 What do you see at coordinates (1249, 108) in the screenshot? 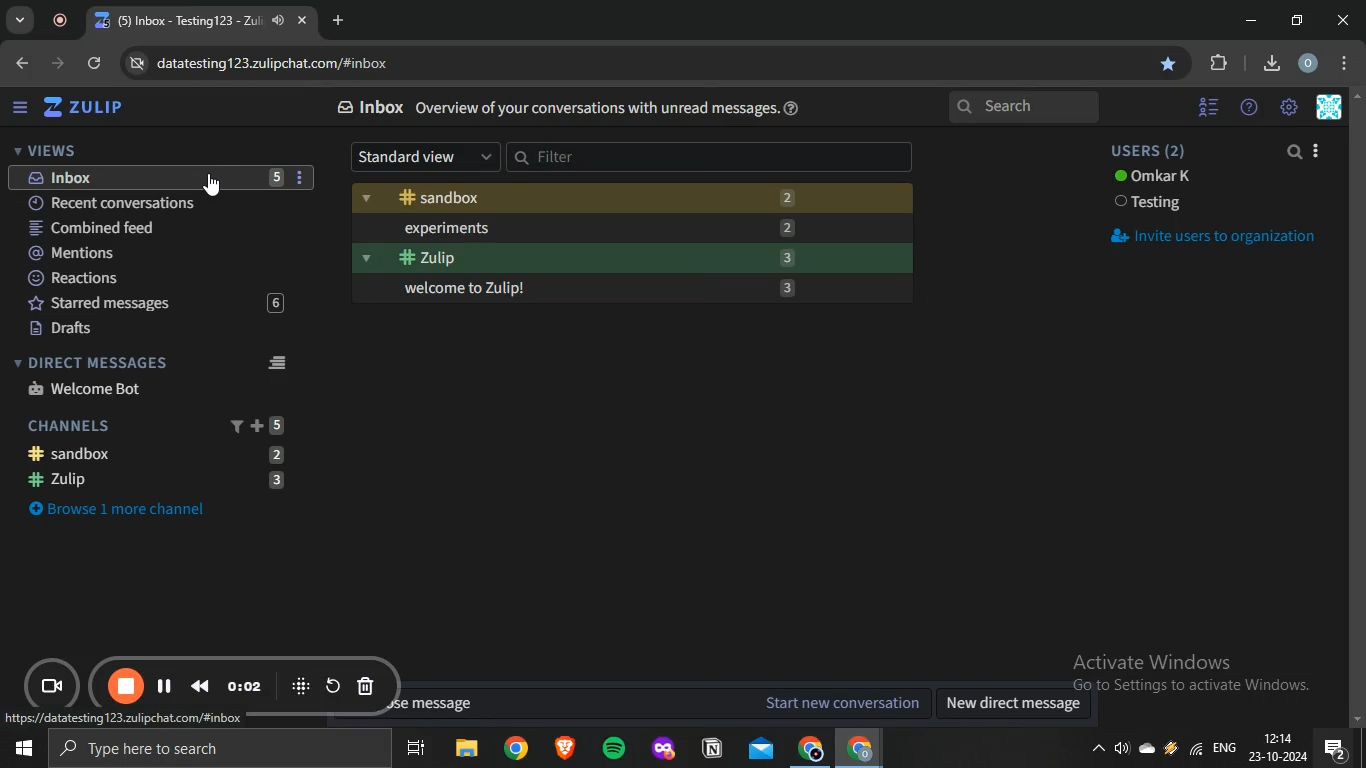
I see `help menu` at bounding box center [1249, 108].